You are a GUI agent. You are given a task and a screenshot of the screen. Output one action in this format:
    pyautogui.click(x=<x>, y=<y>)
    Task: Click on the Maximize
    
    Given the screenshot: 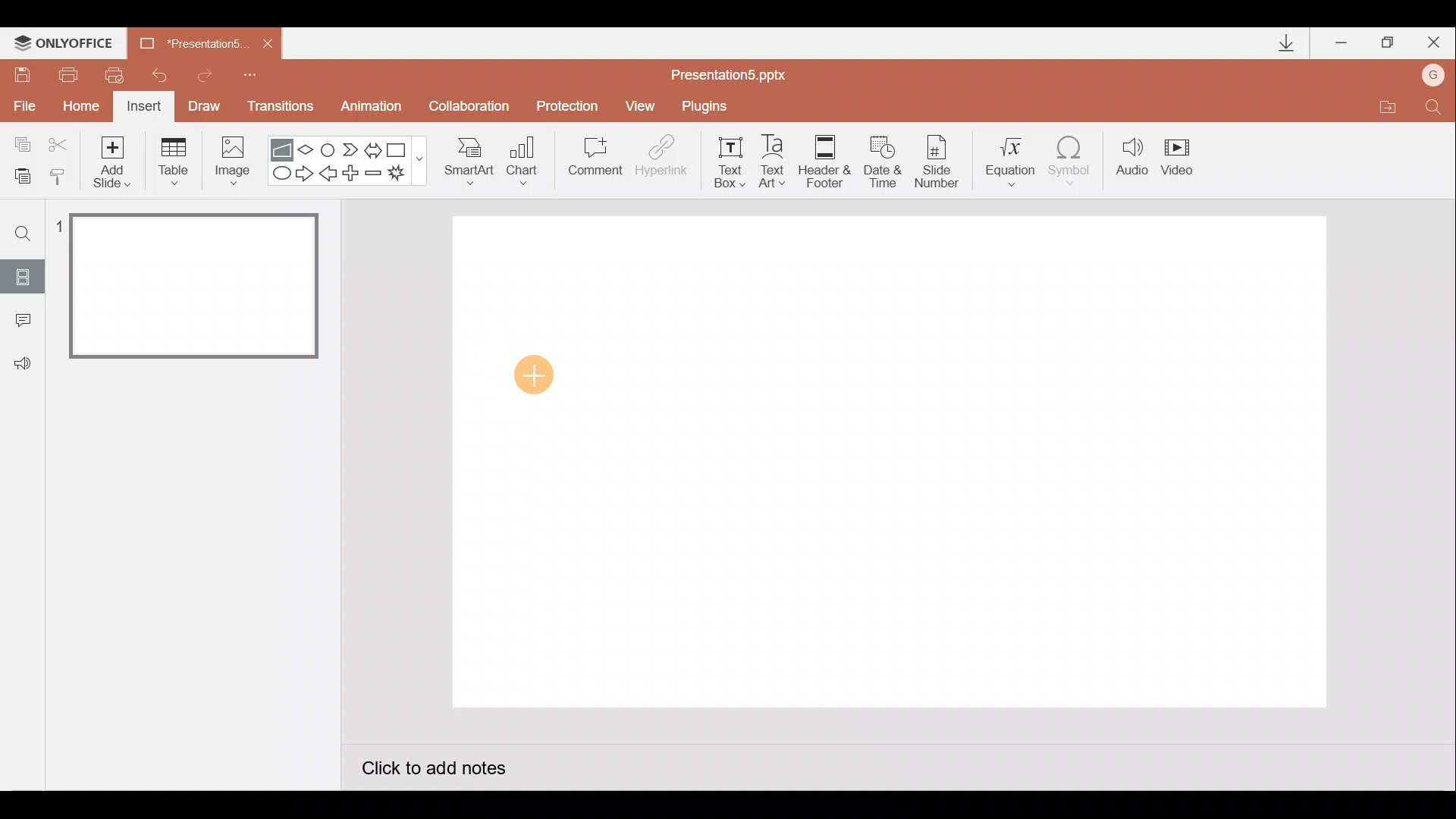 What is the action you would take?
    pyautogui.click(x=1388, y=43)
    